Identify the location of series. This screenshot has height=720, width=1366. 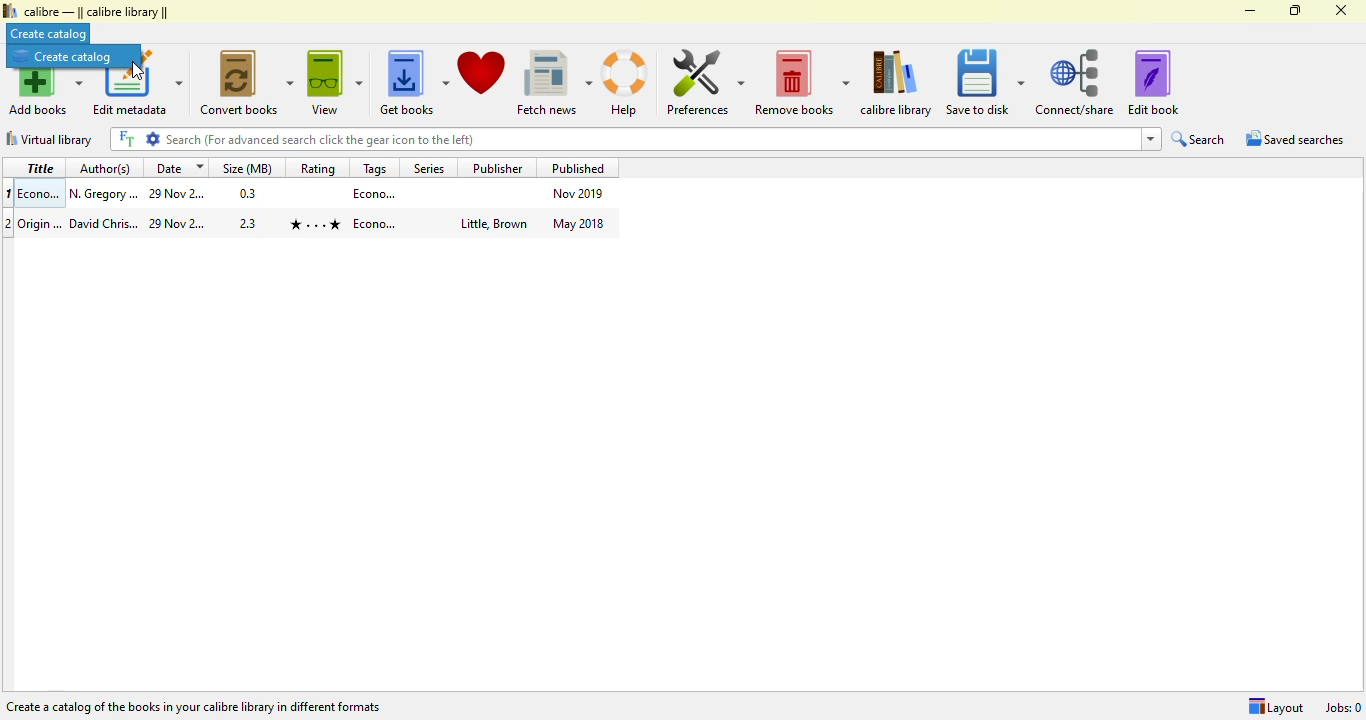
(427, 167).